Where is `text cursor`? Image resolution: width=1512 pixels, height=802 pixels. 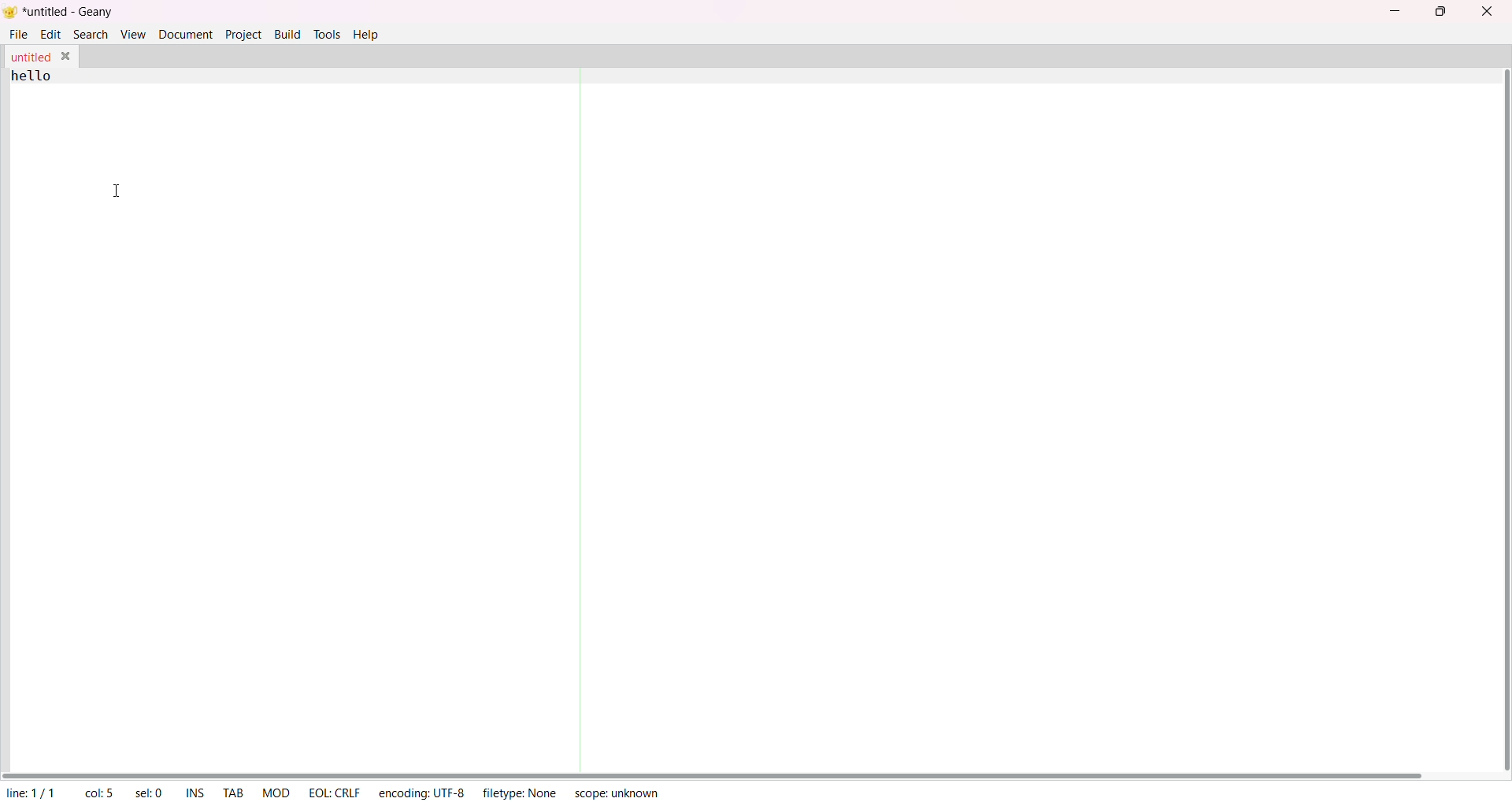
text cursor is located at coordinates (119, 192).